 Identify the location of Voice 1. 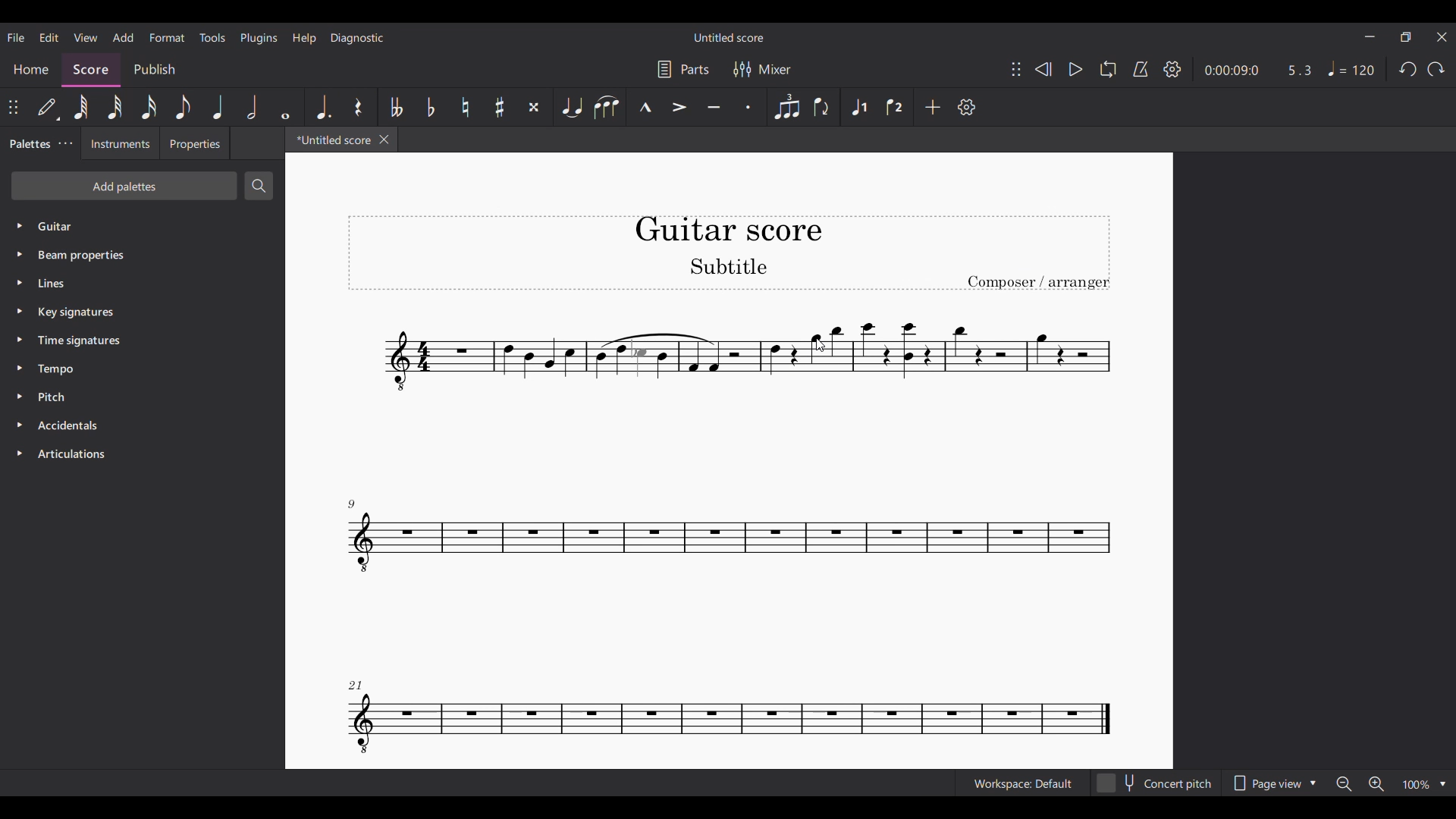
(858, 107).